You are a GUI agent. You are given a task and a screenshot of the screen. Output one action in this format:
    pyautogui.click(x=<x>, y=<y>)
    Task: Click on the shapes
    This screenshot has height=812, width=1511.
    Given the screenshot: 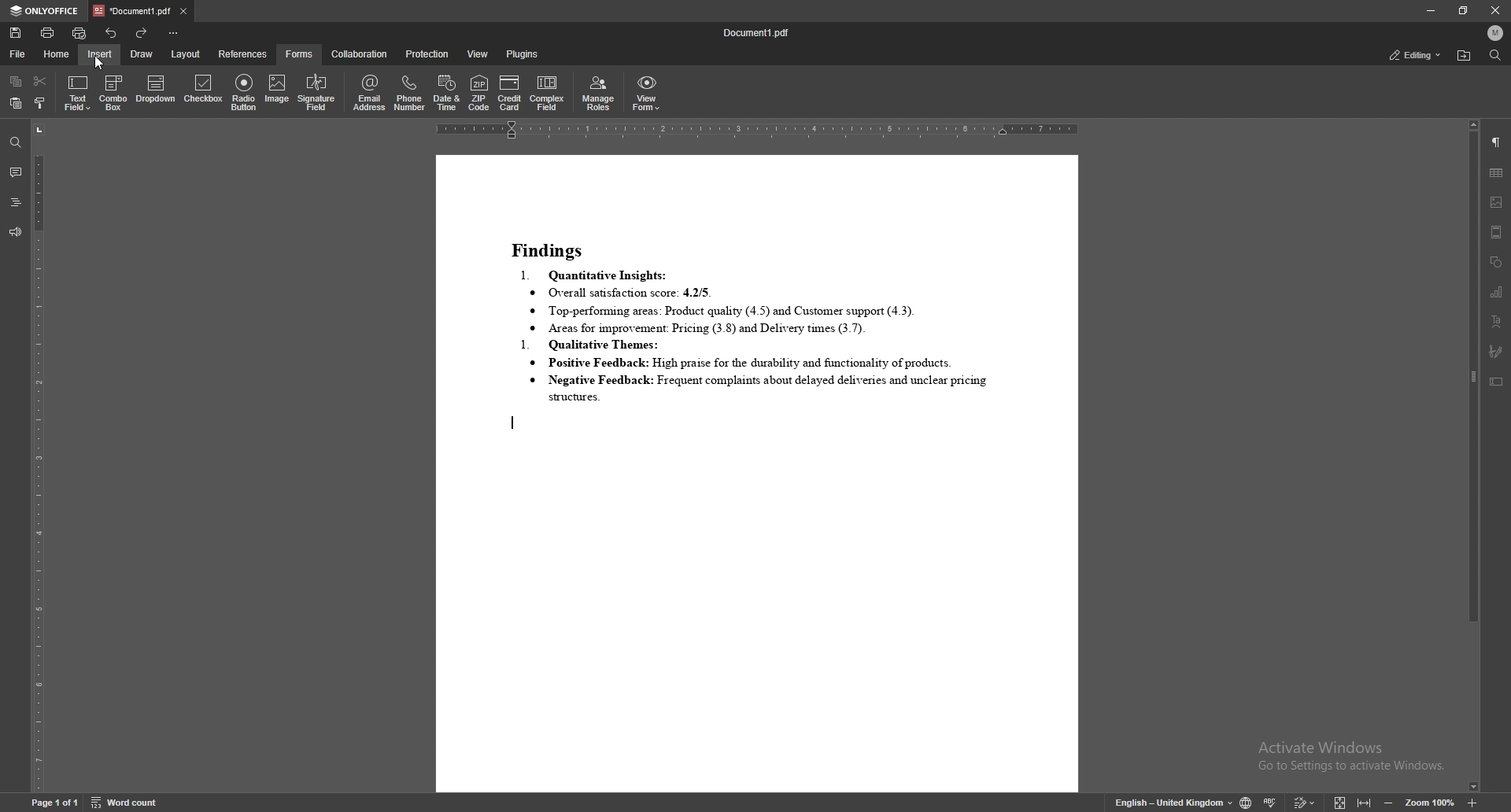 What is the action you would take?
    pyautogui.click(x=1495, y=262)
    